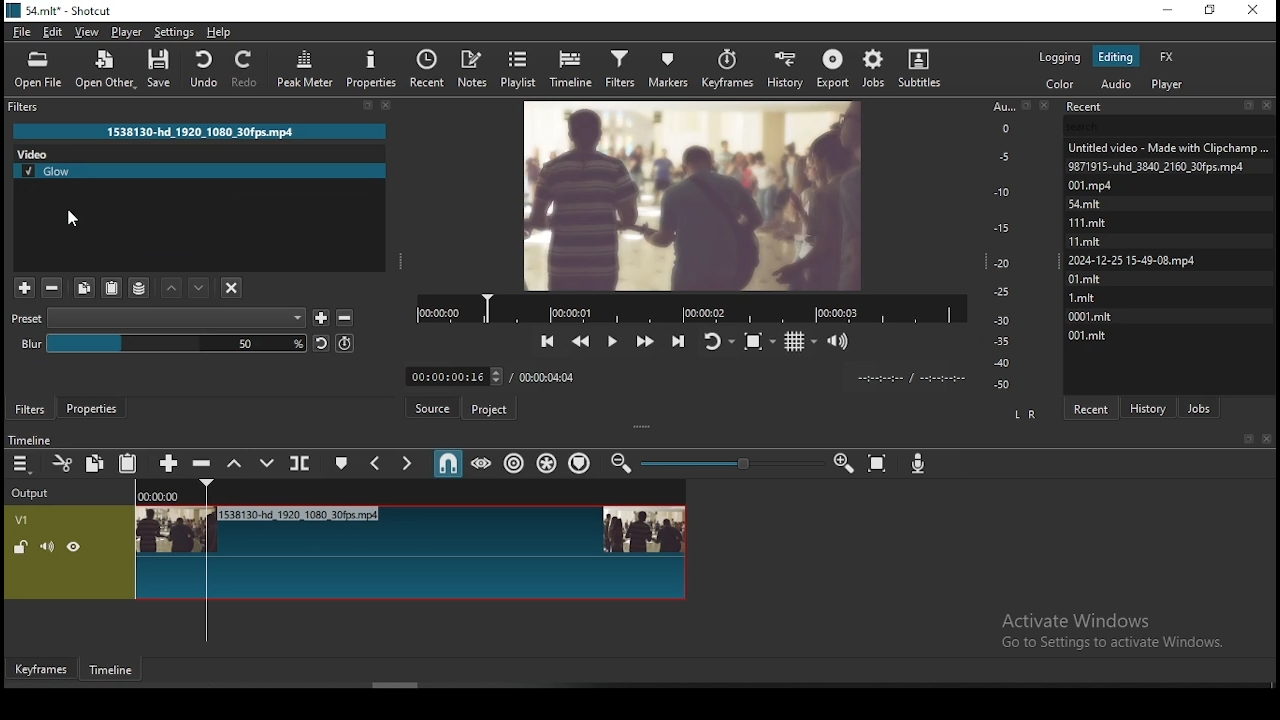 This screenshot has height=720, width=1280. Describe the element at coordinates (784, 67) in the screenshot. I see `history` at that location.